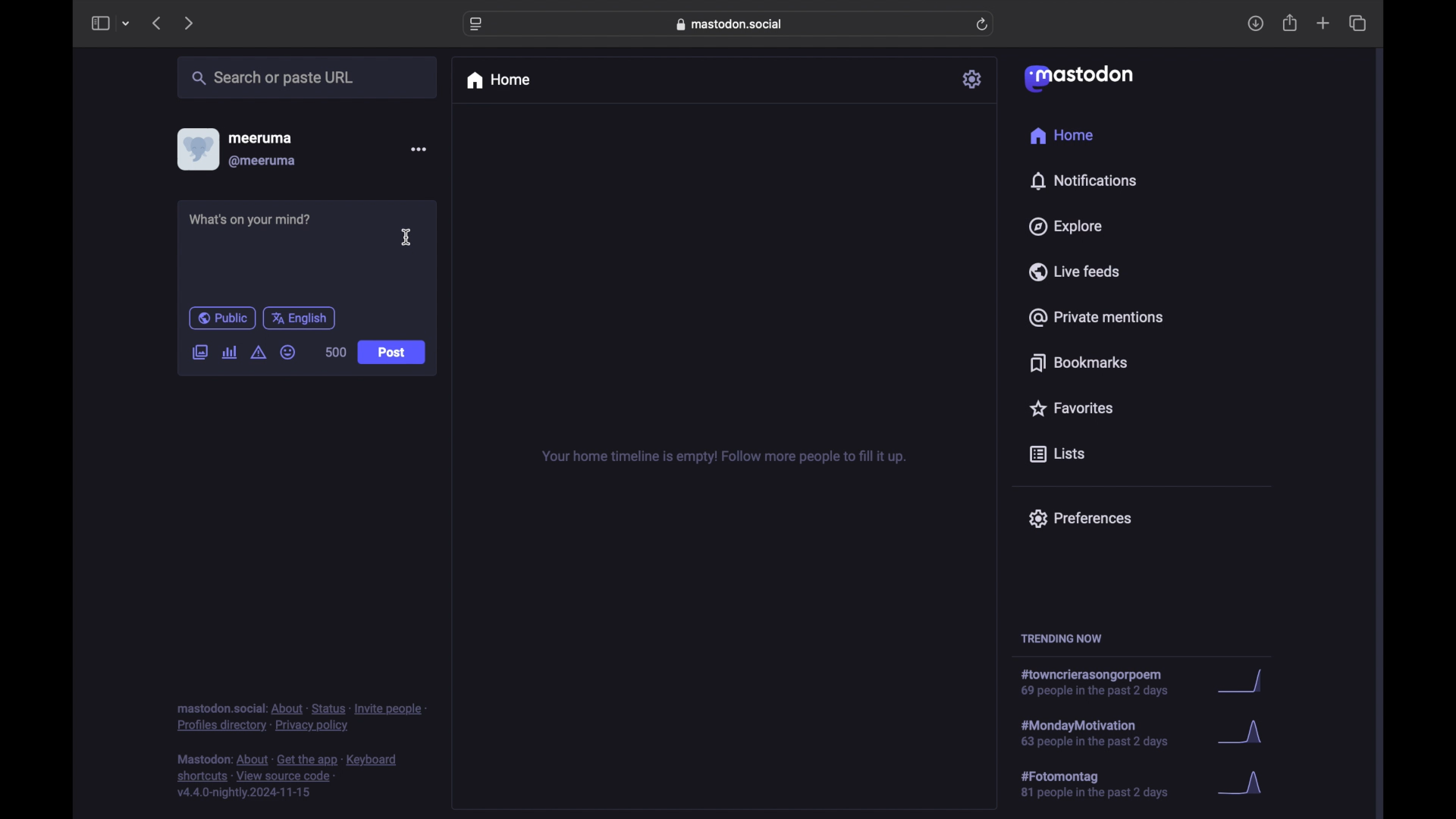 This screenshot has width=1456, height=819. What do you see at coordinates (1078, 362) in the screenshot?
I see `bookmarks` at bounding box center [1078, 362].